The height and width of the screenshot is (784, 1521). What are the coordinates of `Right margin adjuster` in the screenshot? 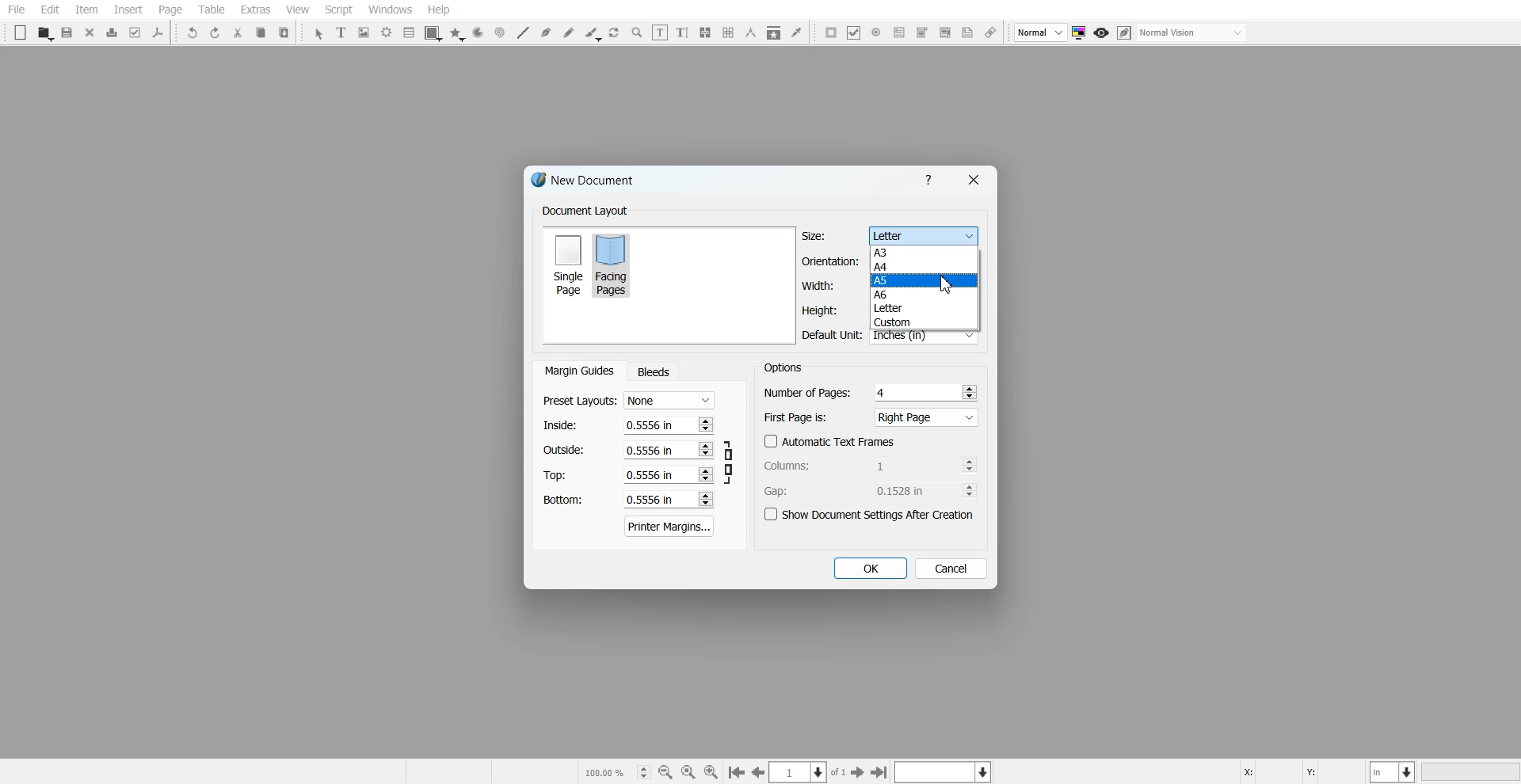 It's located at (629, 450).